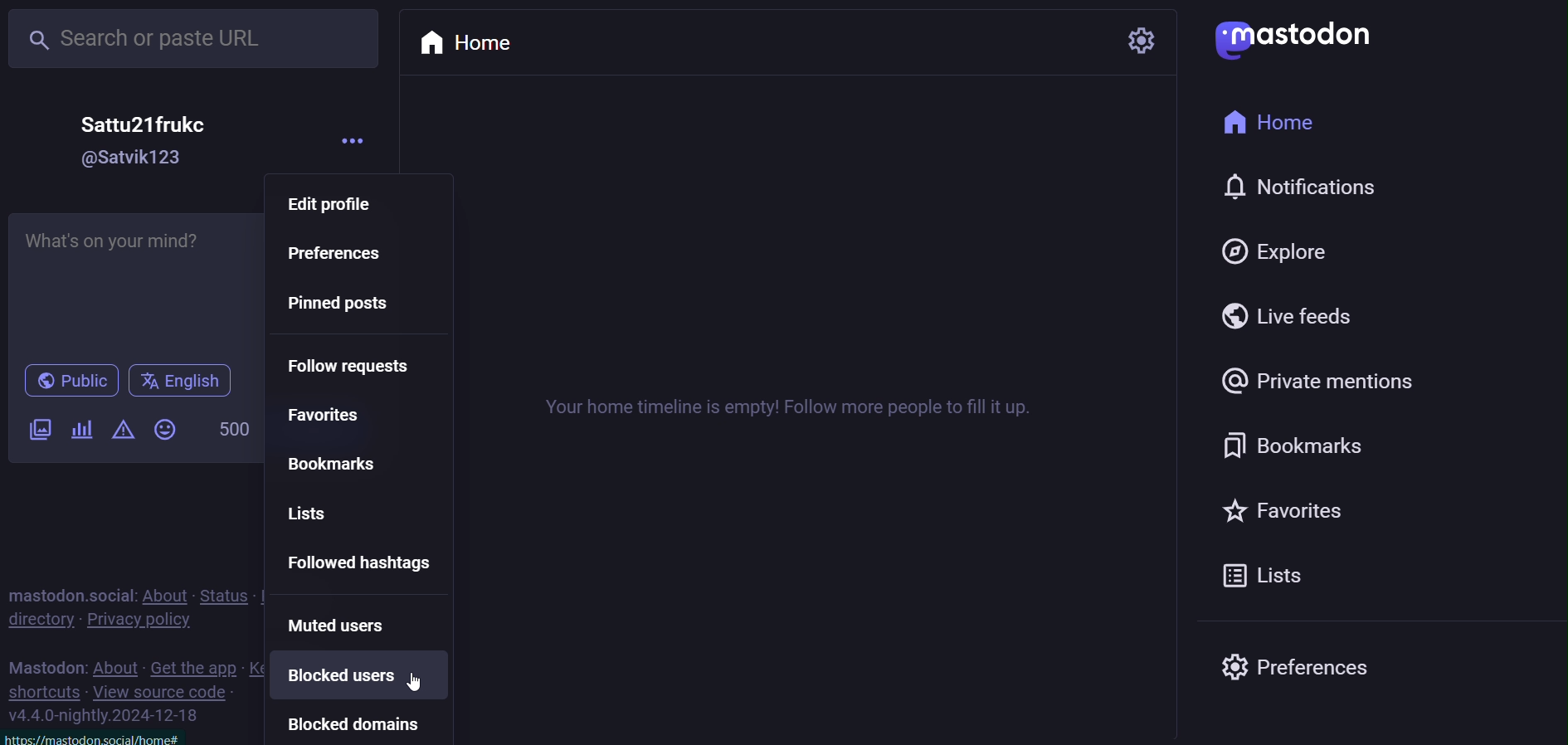  I want to click on mastodon, so click(1288, 39).